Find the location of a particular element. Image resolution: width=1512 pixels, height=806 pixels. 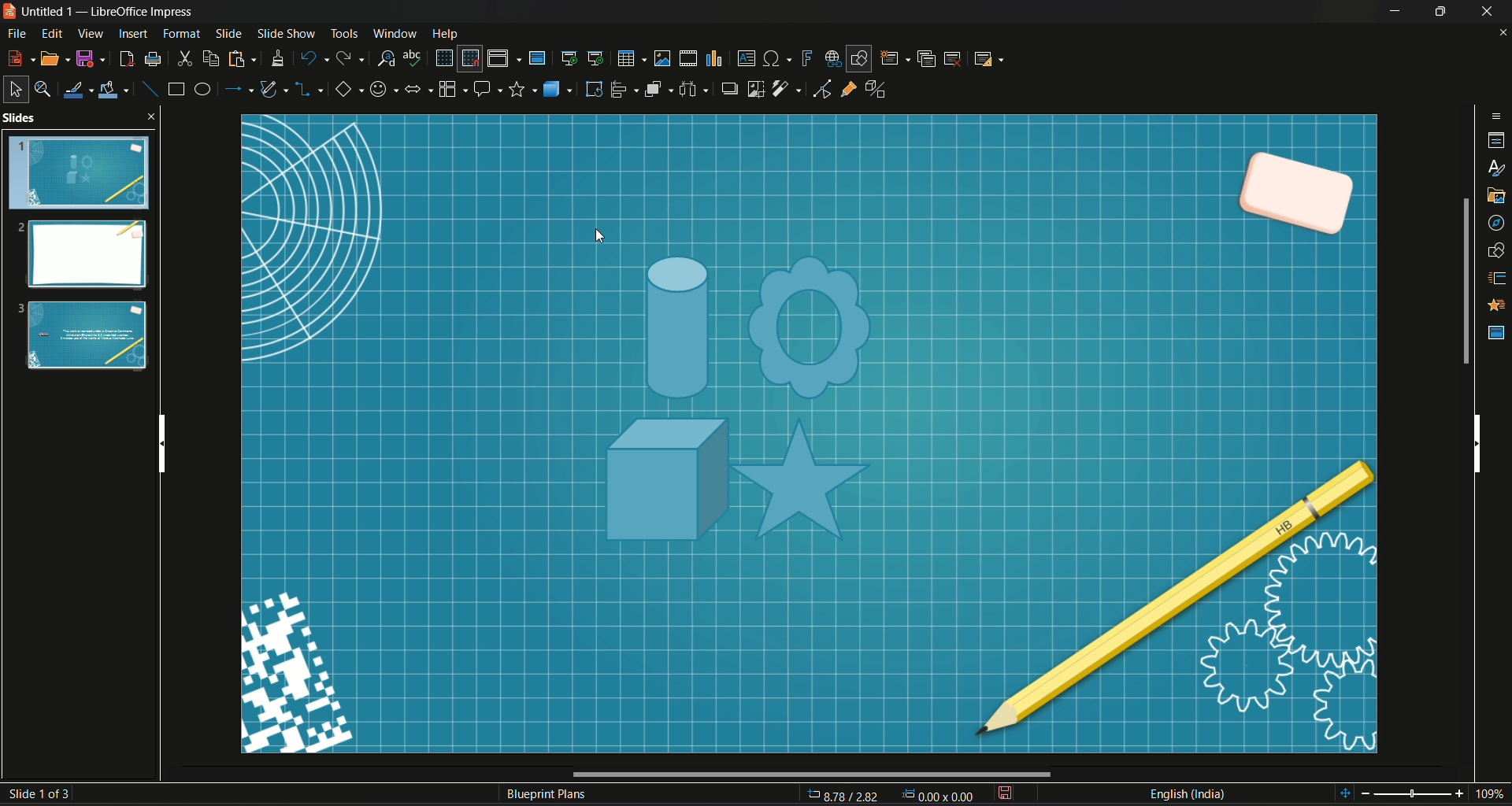

Page Dimensions is located at coordinates (892, 796).